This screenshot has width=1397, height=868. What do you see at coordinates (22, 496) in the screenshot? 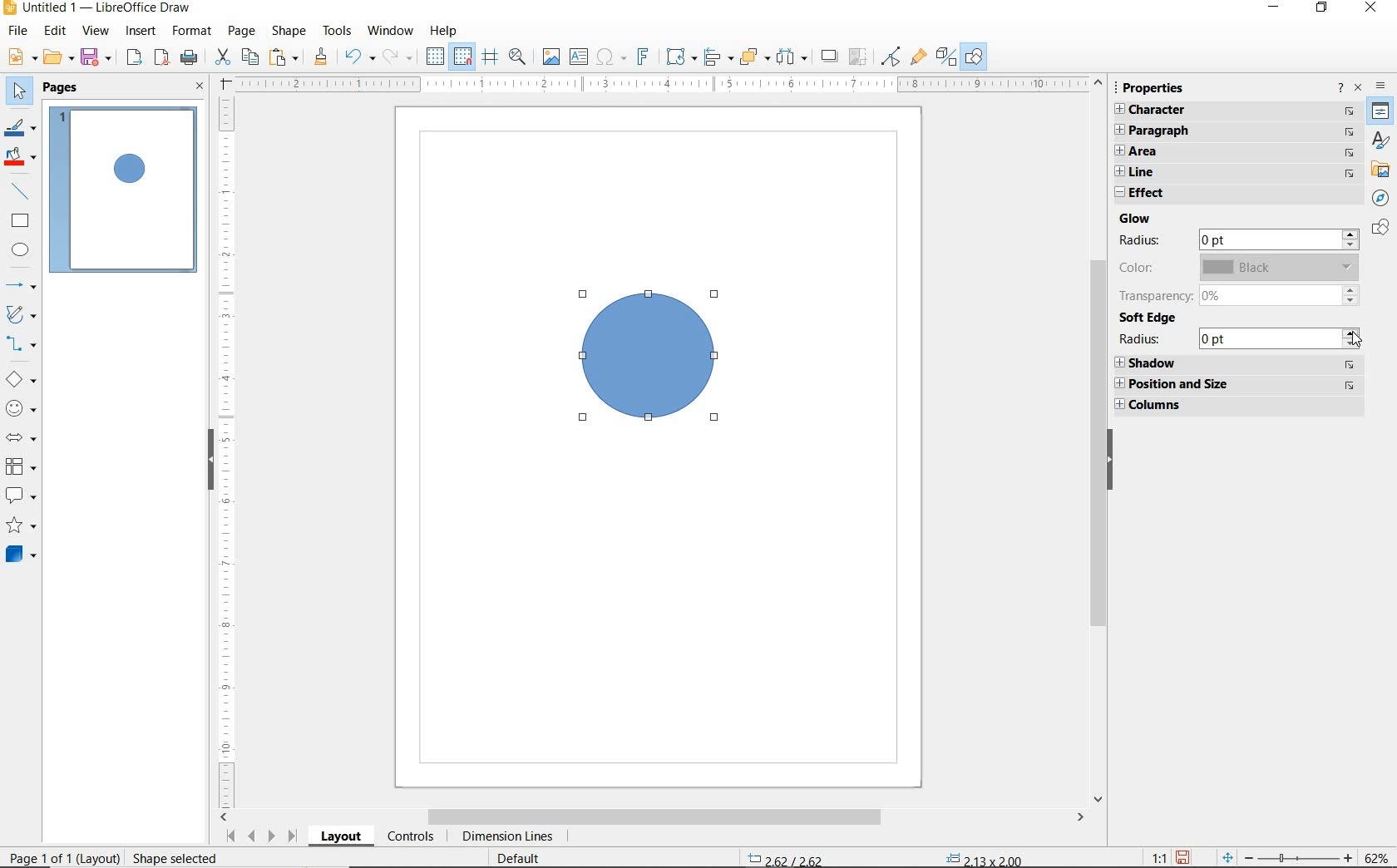
I see `CALLOUT SHAPES` at bounding box center [22, 496].